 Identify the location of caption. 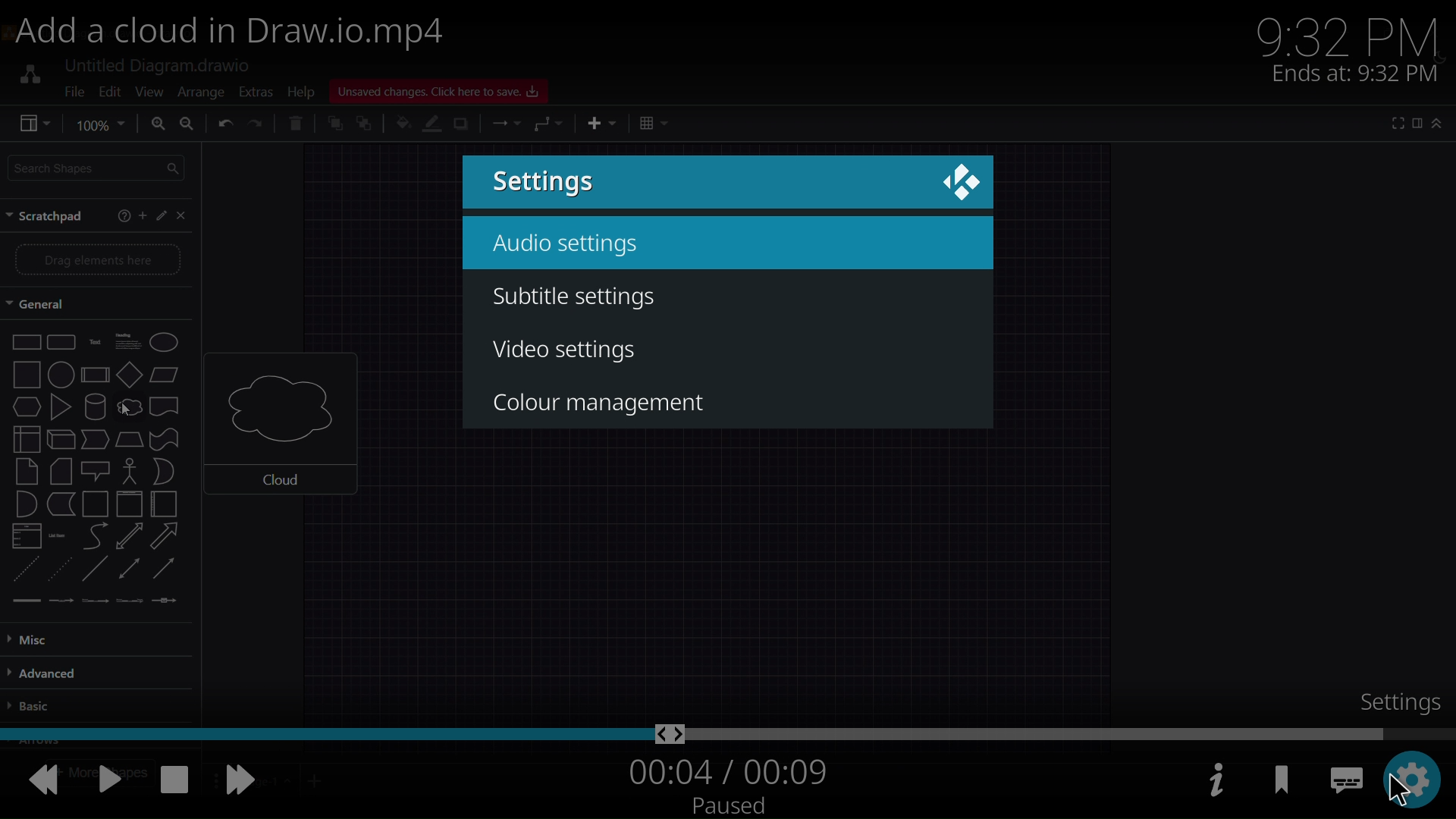
(1338, 780).